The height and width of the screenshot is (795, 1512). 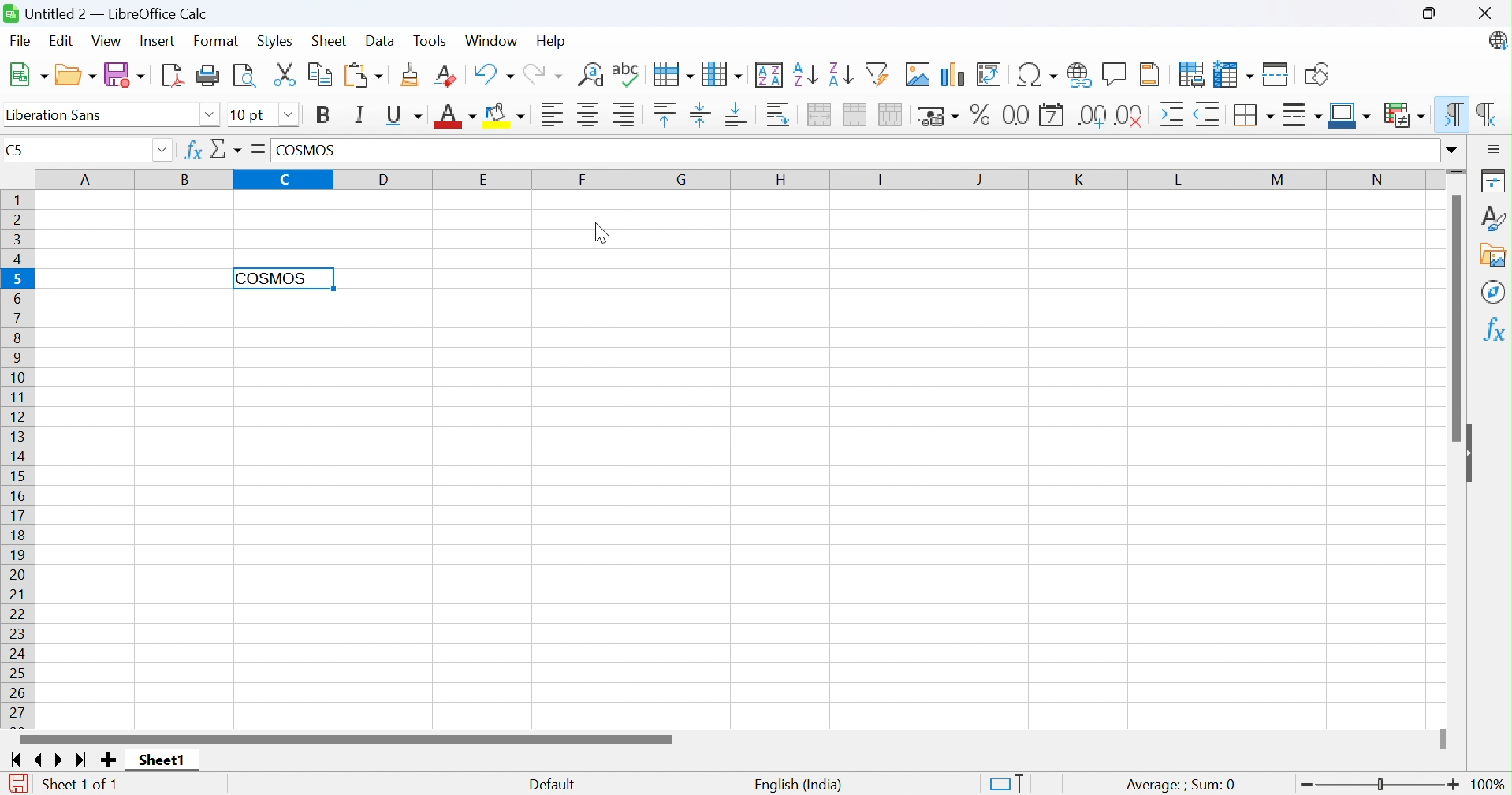 I want to click on Decrease indent, so click(x=1210, y=114).